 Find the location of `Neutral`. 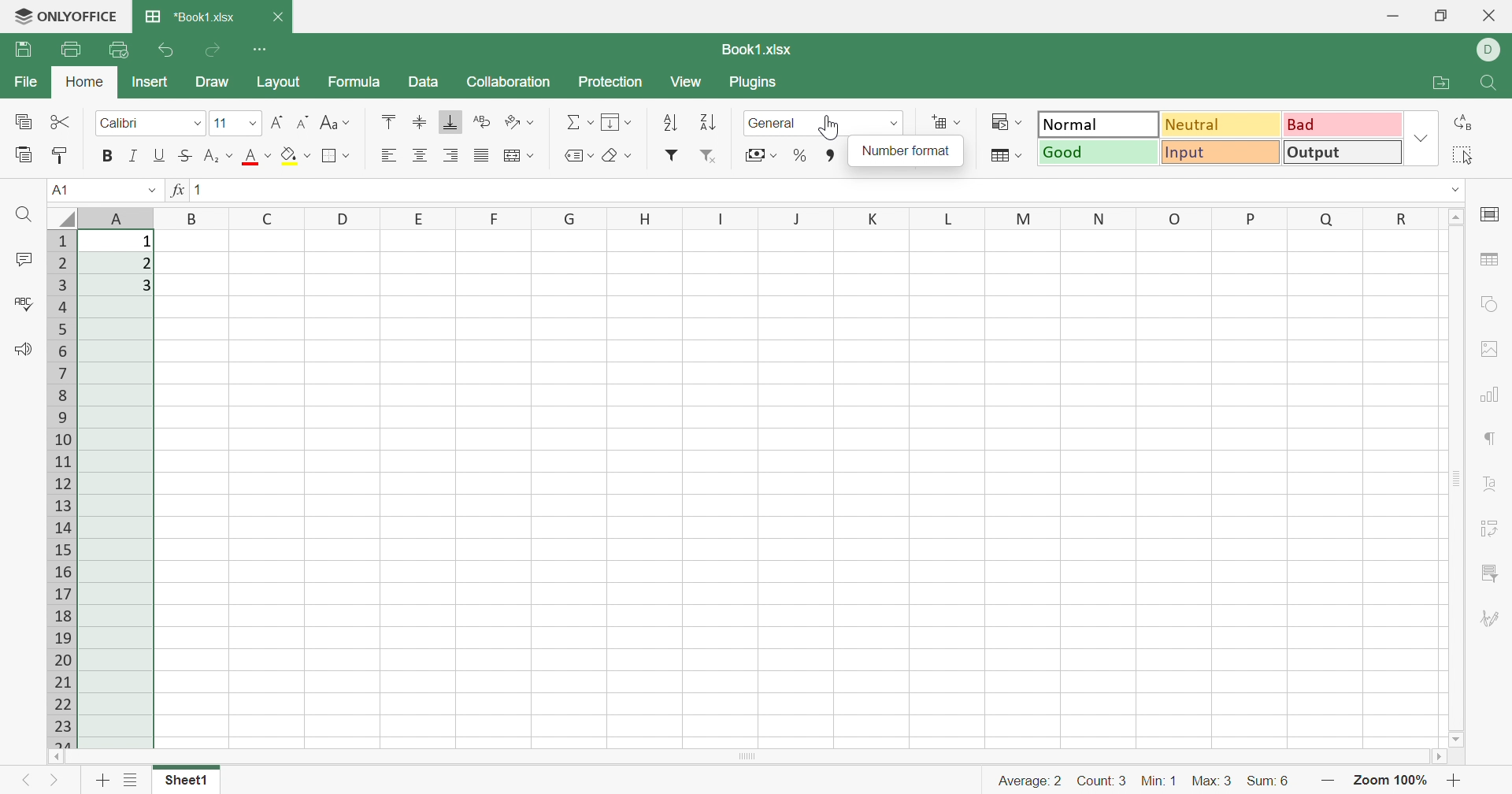

Neutral is located at coordinates (1223, 124).